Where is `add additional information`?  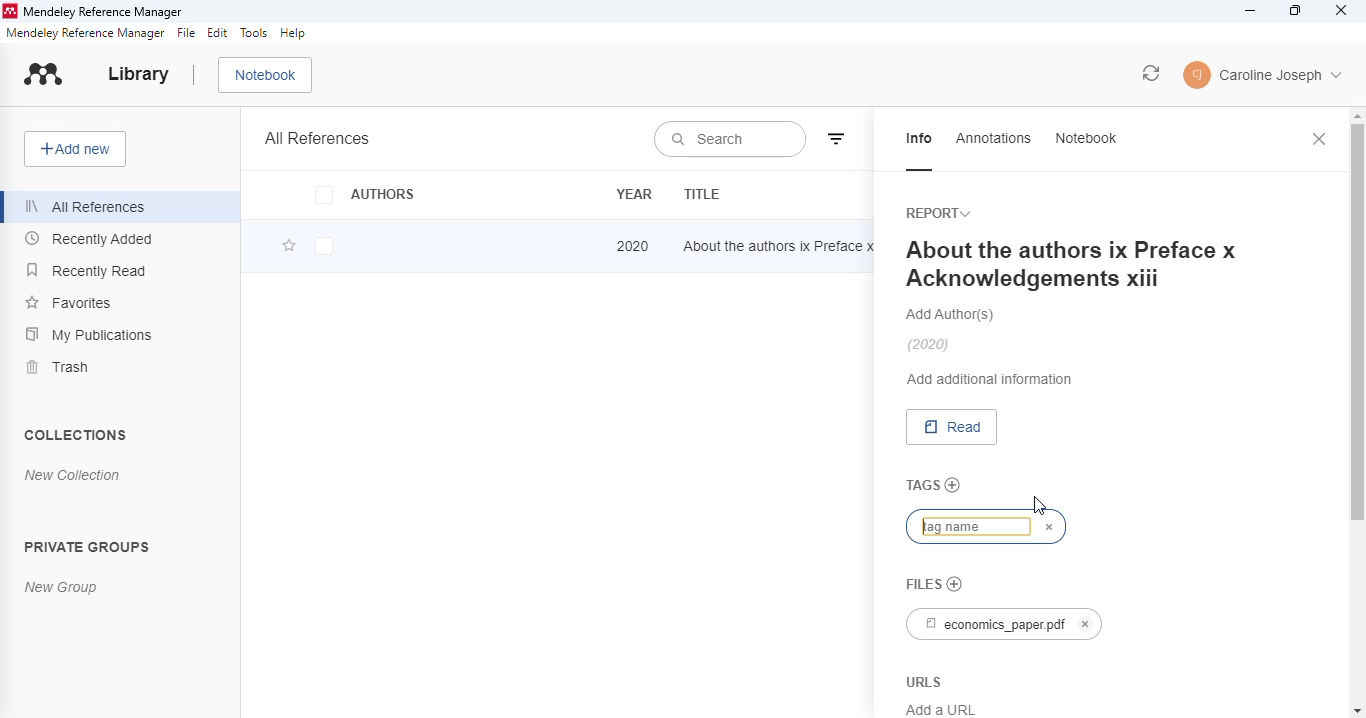 add additional information is located at coordinates (991, 379).